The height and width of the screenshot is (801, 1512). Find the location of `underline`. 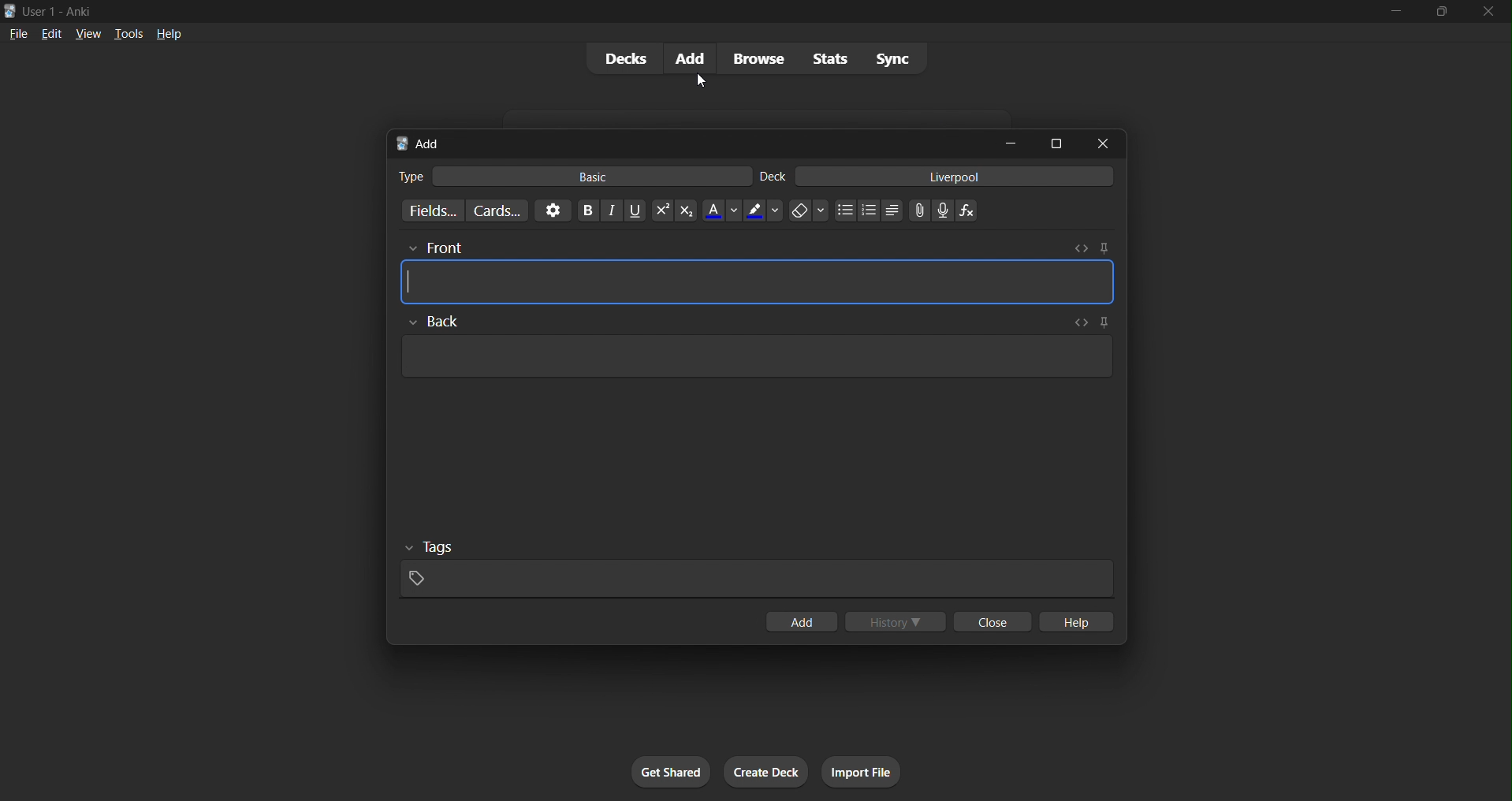

underline is located at coordinates (630, 210).